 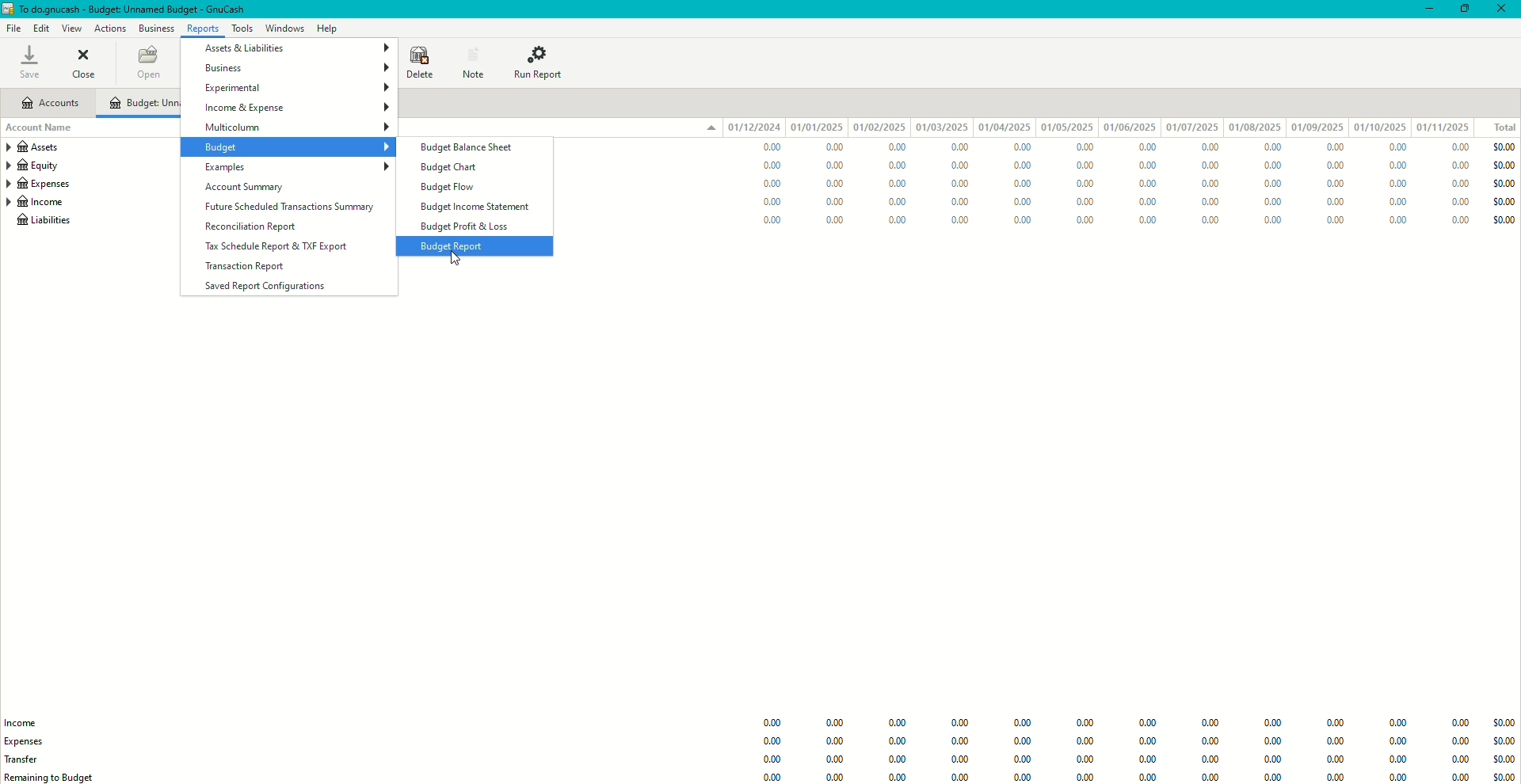 I want to click on 0.00, so click(x=1332, y=744).